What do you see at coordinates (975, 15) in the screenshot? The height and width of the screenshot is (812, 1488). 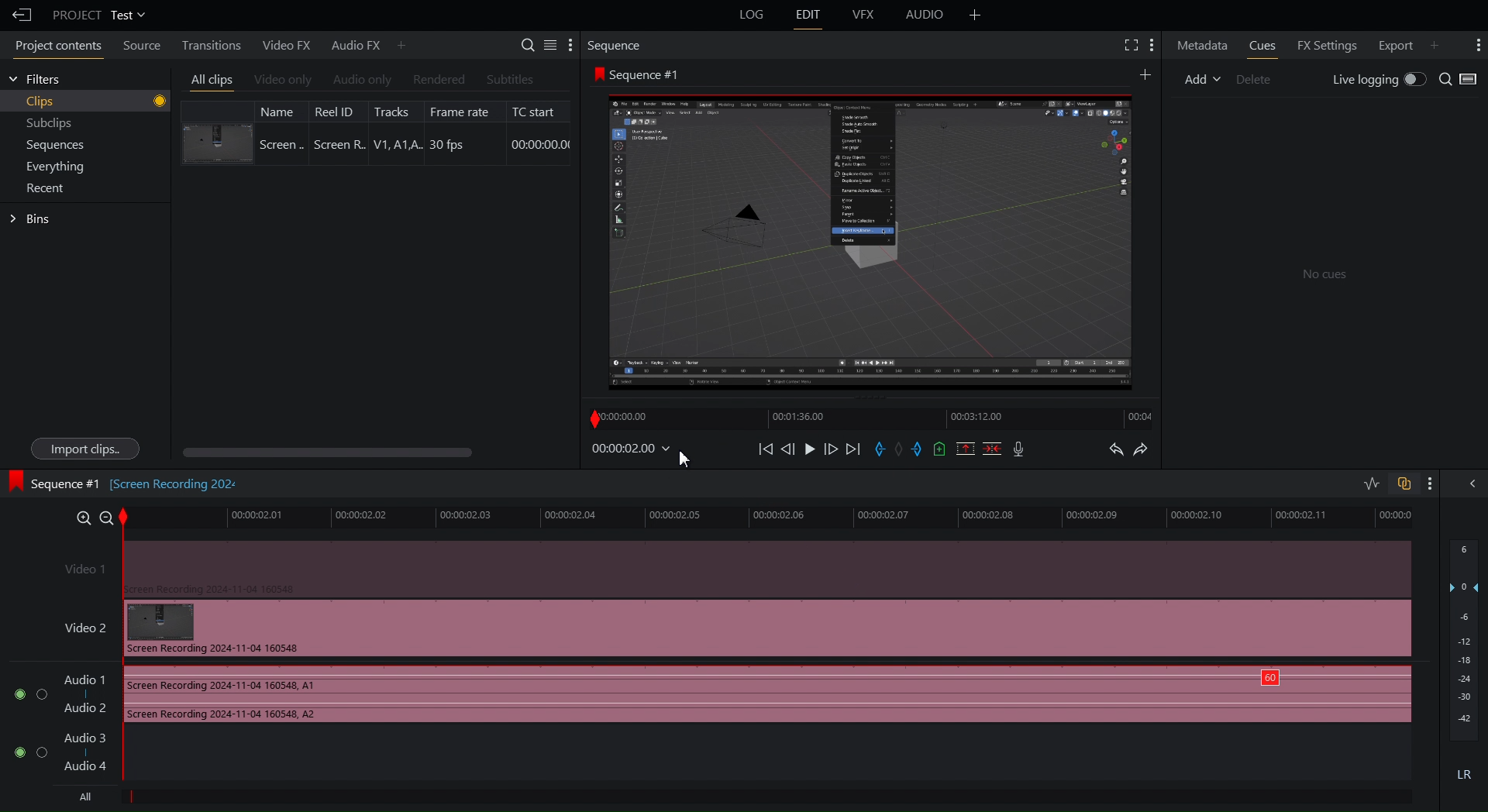 I see `More` at bounding box center [975, 15].